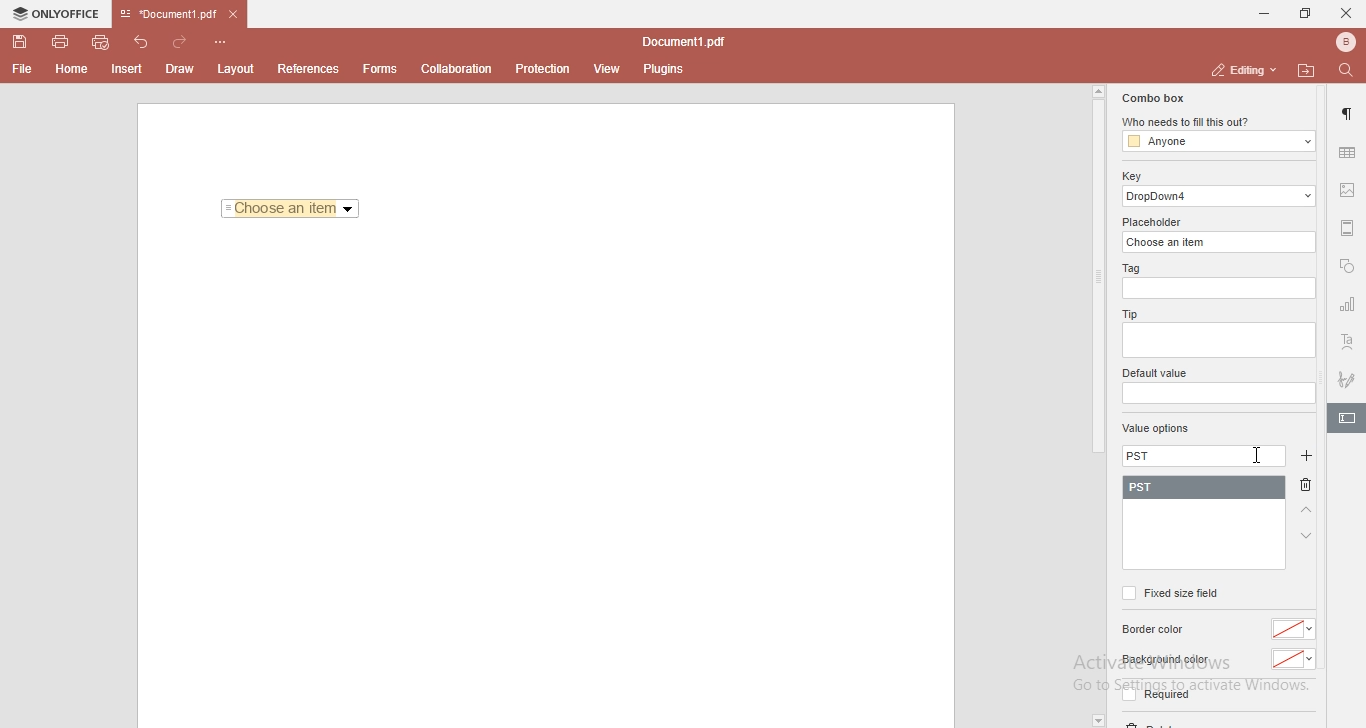 Image resolution: width=1366 pixels, height=728 pixels. Describe the element at coordinates (1241, 69) in the screenshot. I see `editing` at that location.